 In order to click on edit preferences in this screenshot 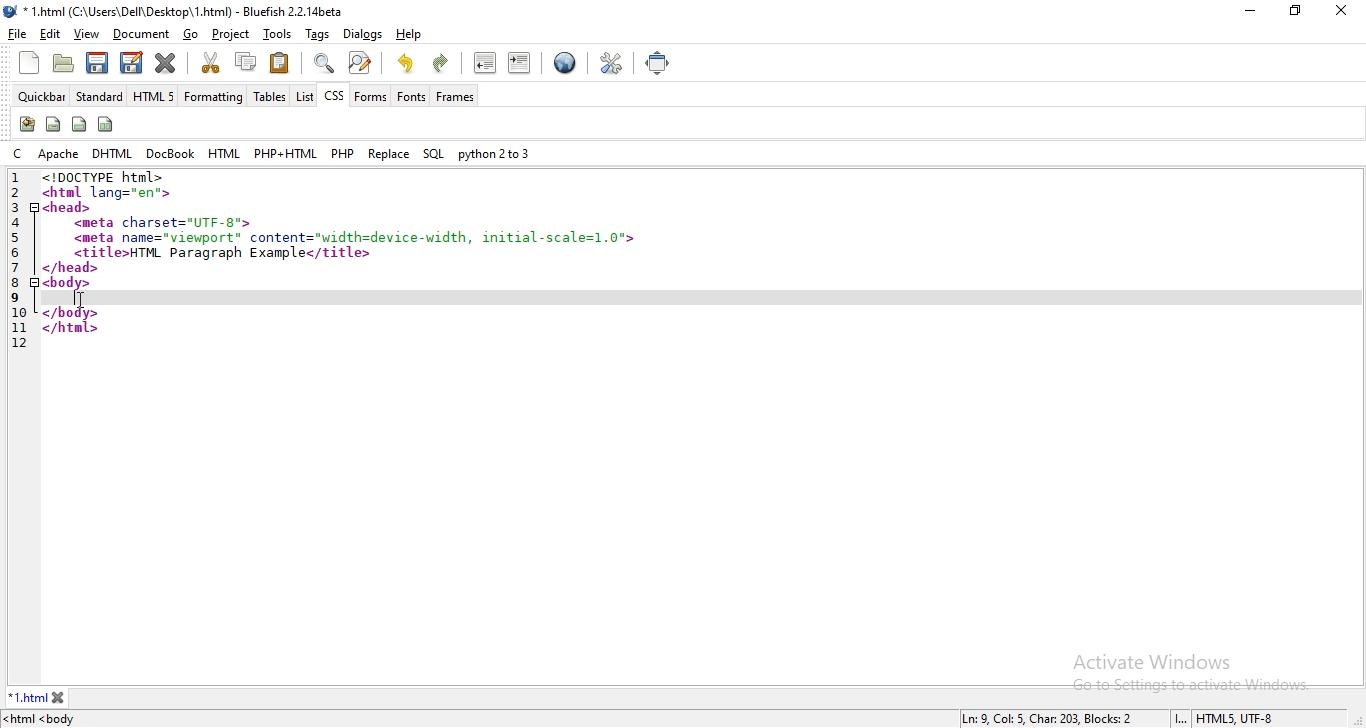, I will do `click(608, 63)`.